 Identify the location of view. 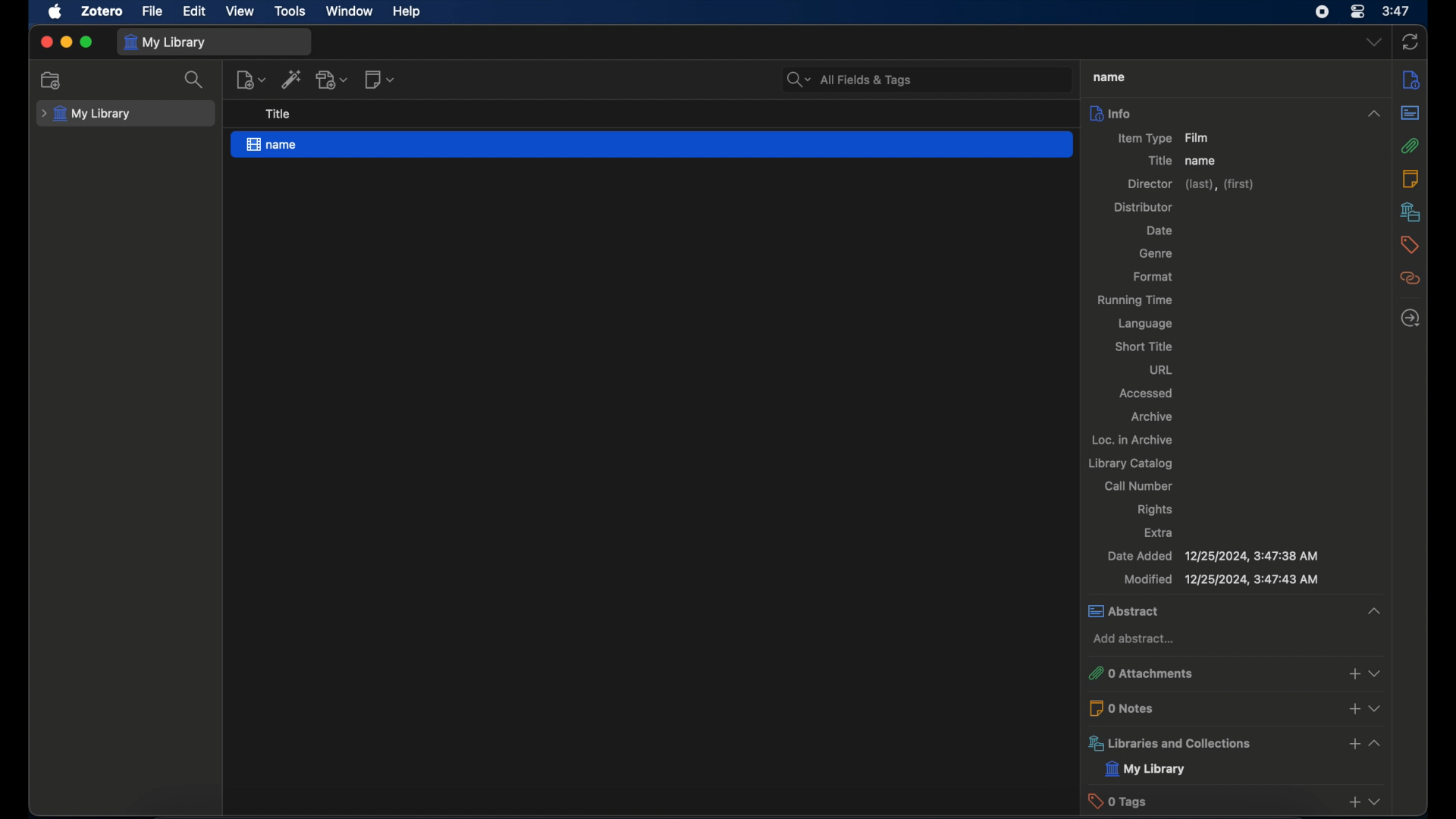
(241, 11).